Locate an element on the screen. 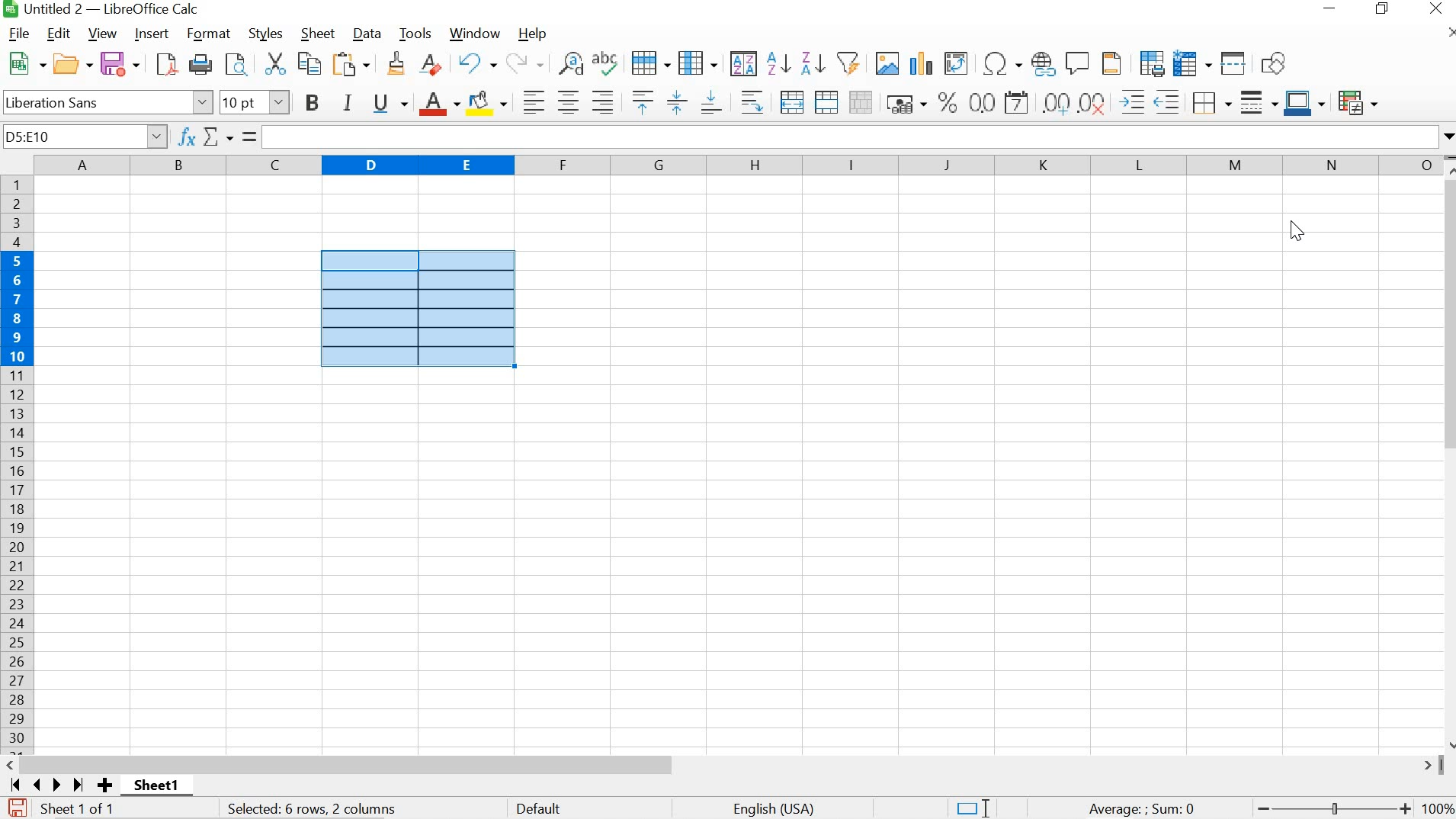 The height and width of the screenshot is (819, 1456). insert image is located at coordinates (886, 61).